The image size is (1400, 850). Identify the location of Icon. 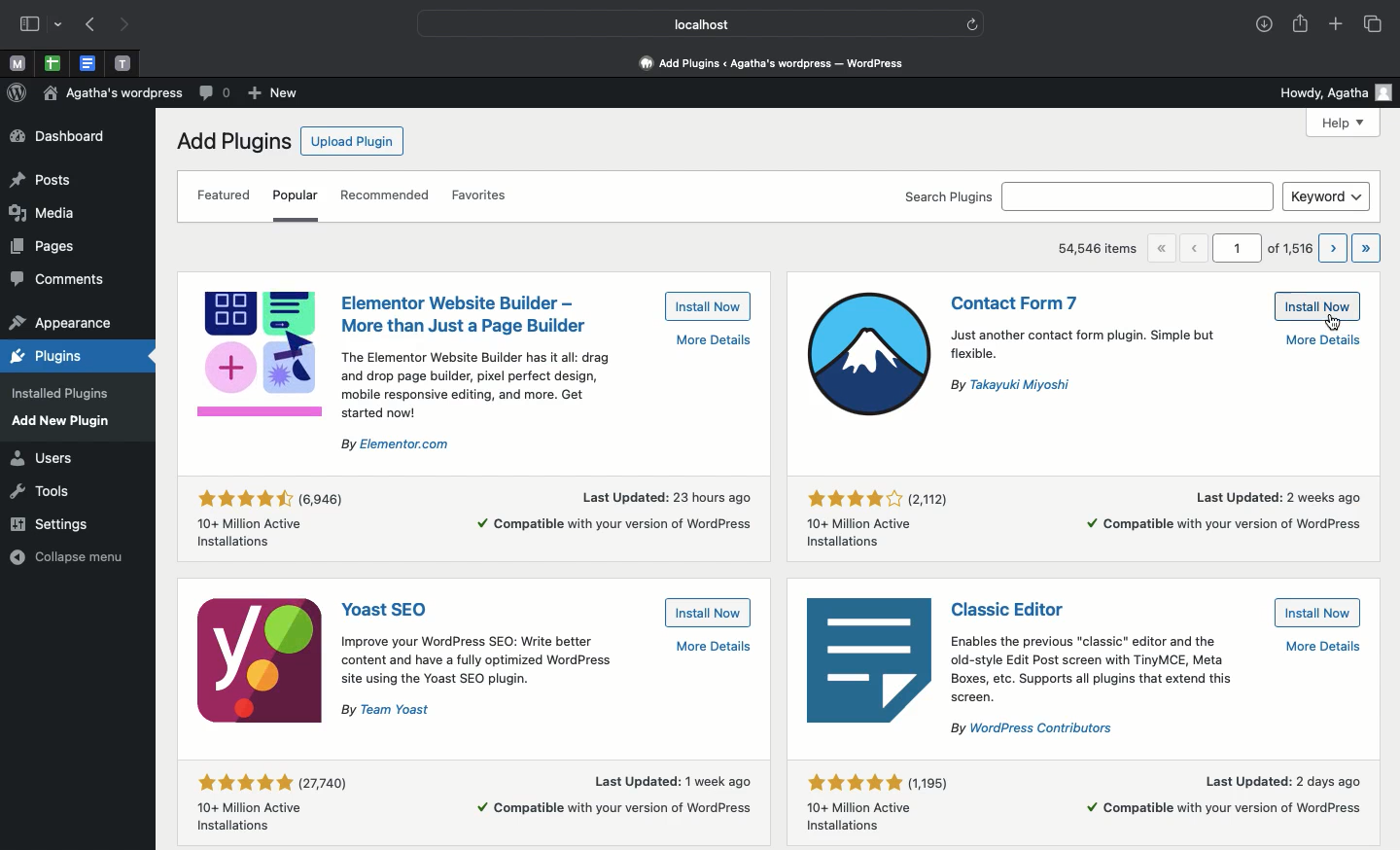
(869, 663).